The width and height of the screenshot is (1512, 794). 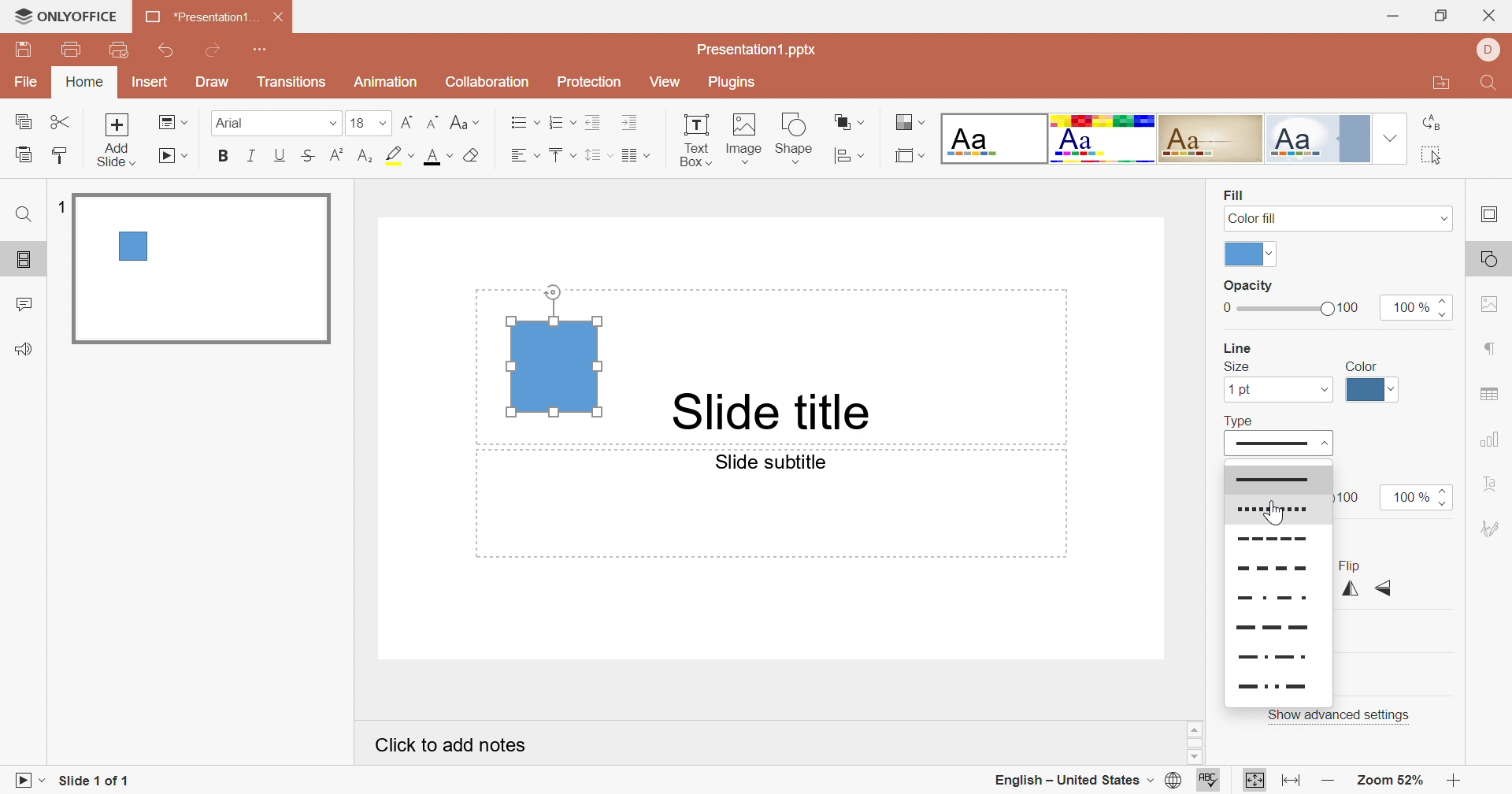 What do you see at coordinates (1279, 509) in the screenshot?
I see `line` at bounding box center [1279, 509].